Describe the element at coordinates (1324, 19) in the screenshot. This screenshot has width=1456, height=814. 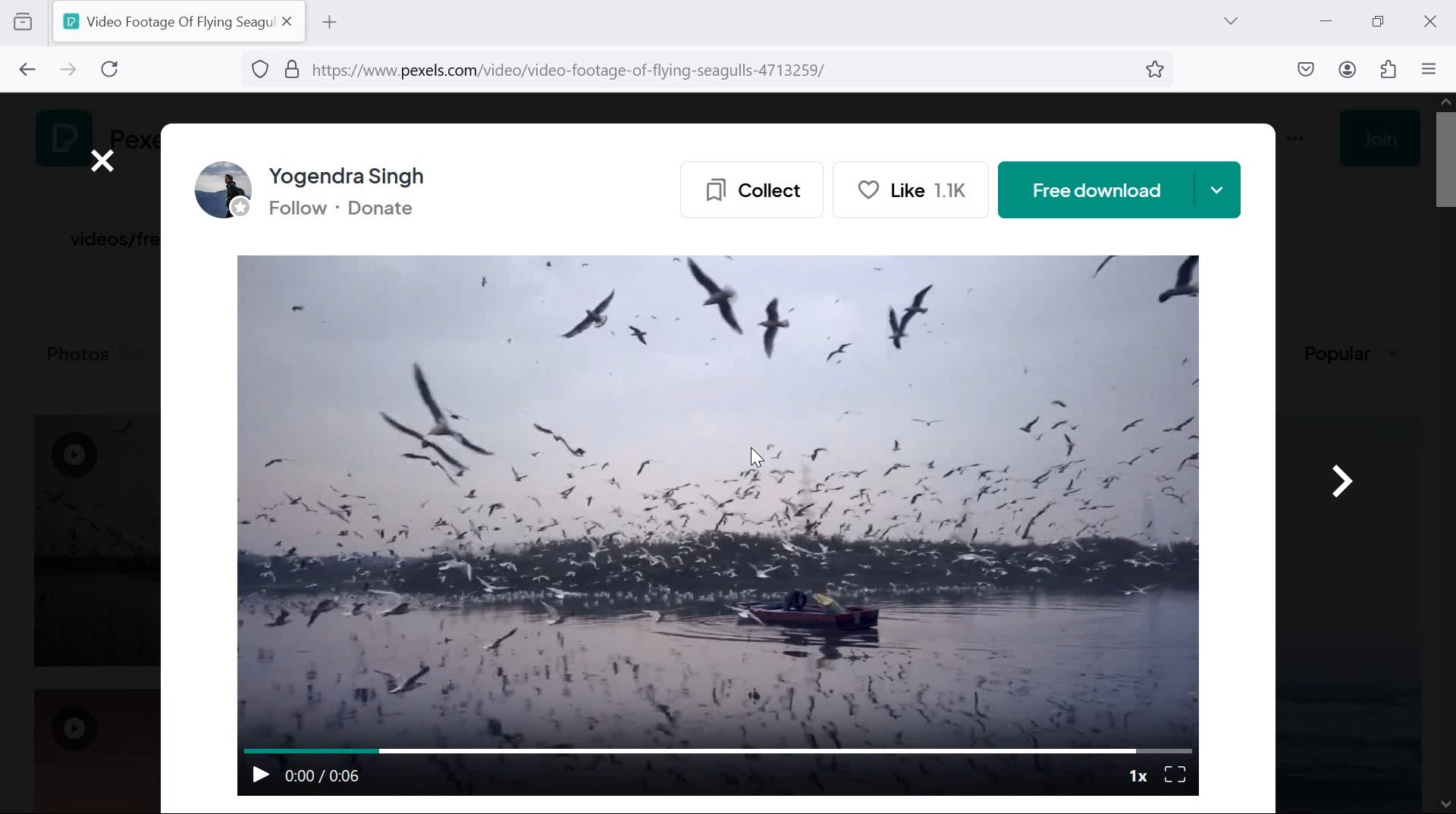
I see `minimize` at that location.